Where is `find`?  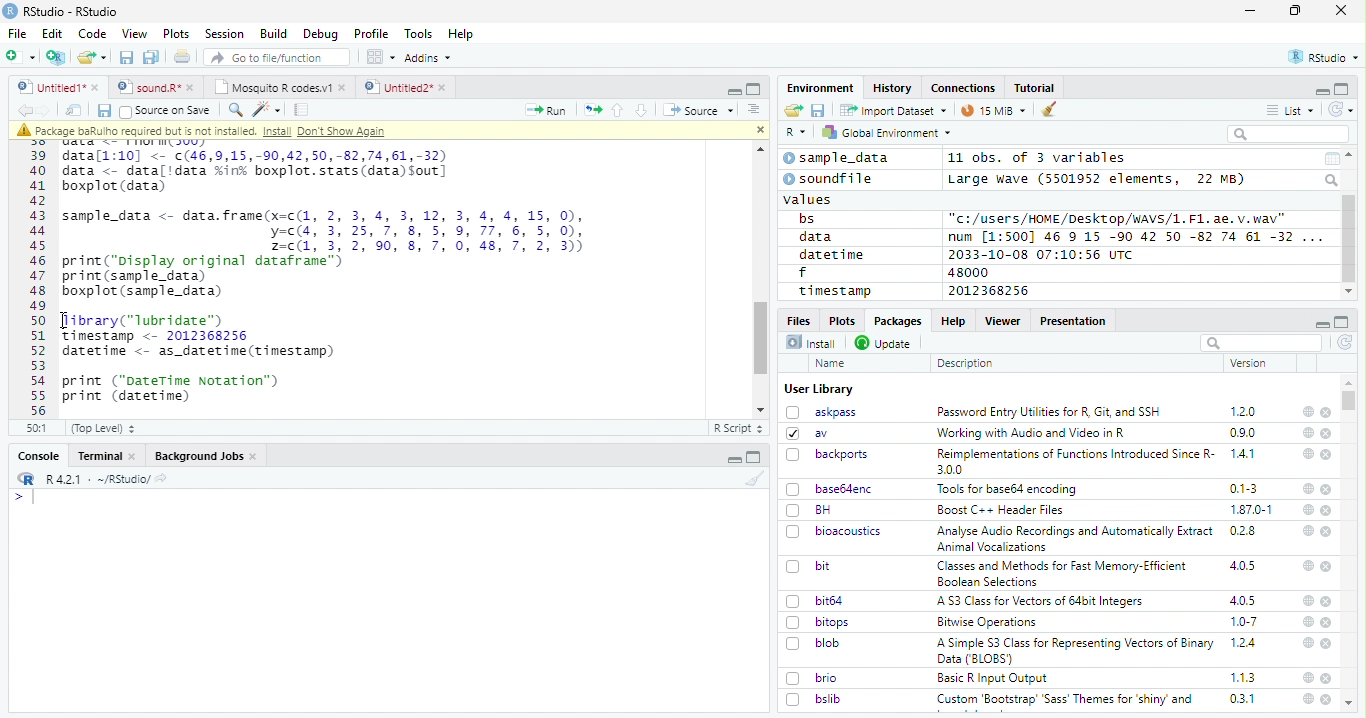 find is located at coordinates (233, 108).